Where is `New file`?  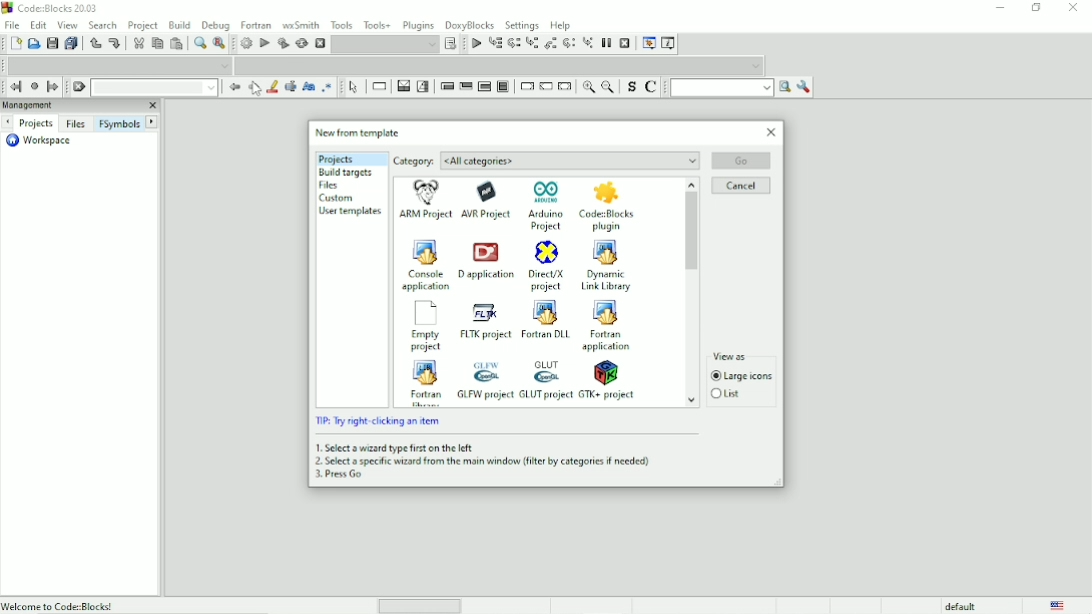 New file is located at coordinates (14, 44).